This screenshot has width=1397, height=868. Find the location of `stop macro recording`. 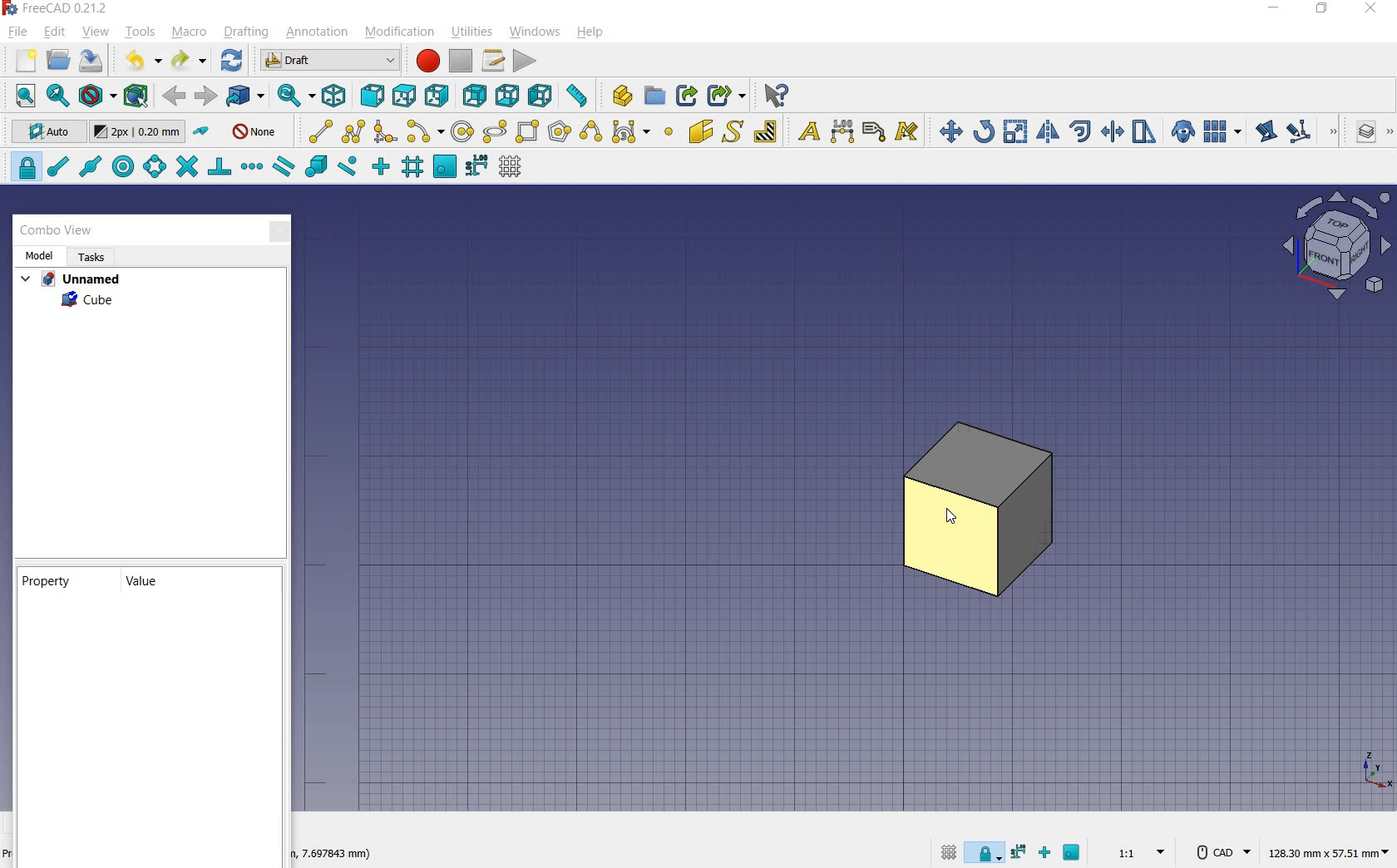

stop macro recording is located at coordinates (458, 62).